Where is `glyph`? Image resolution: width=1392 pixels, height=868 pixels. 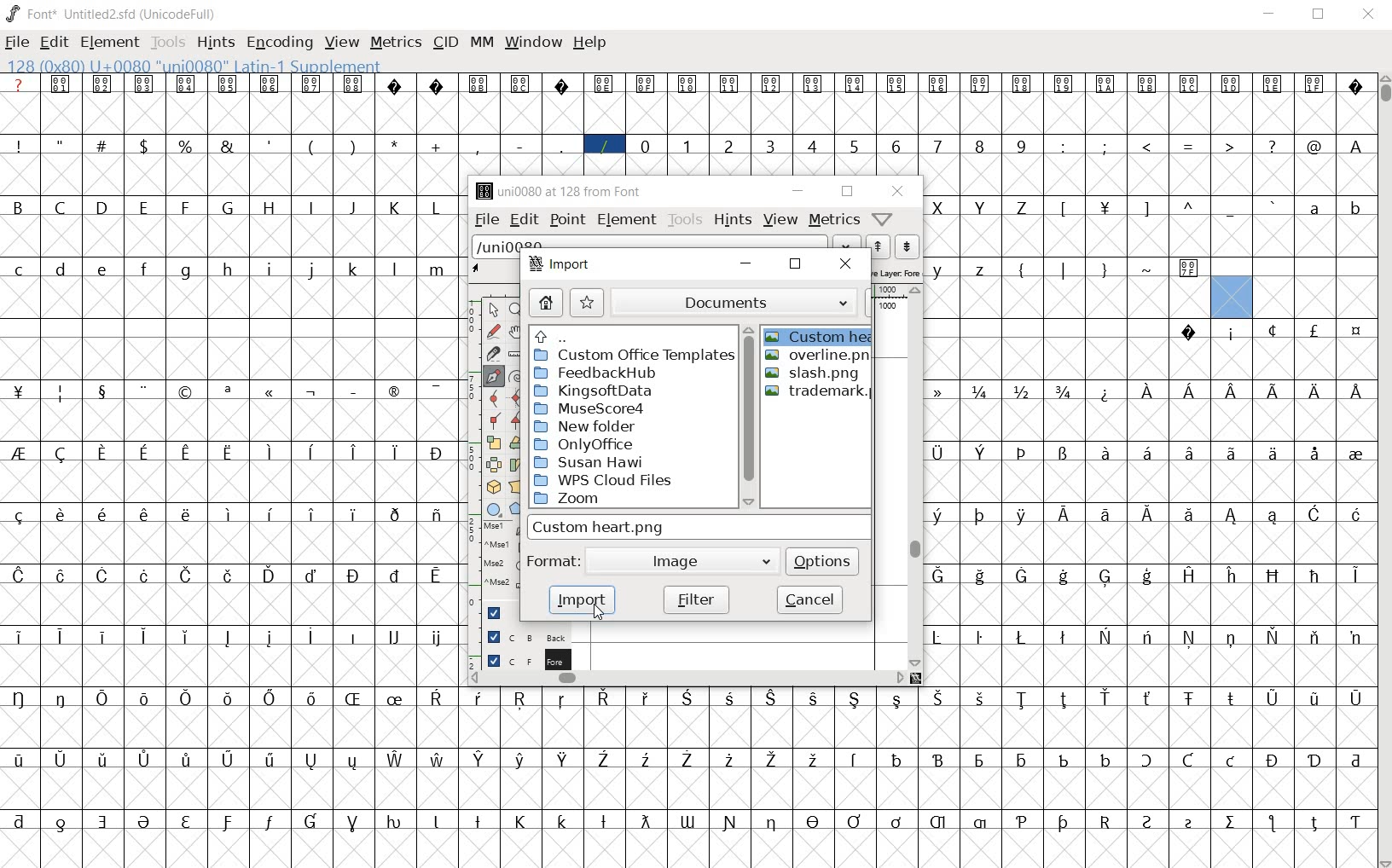
glyph is located at coordinates (395, 208).